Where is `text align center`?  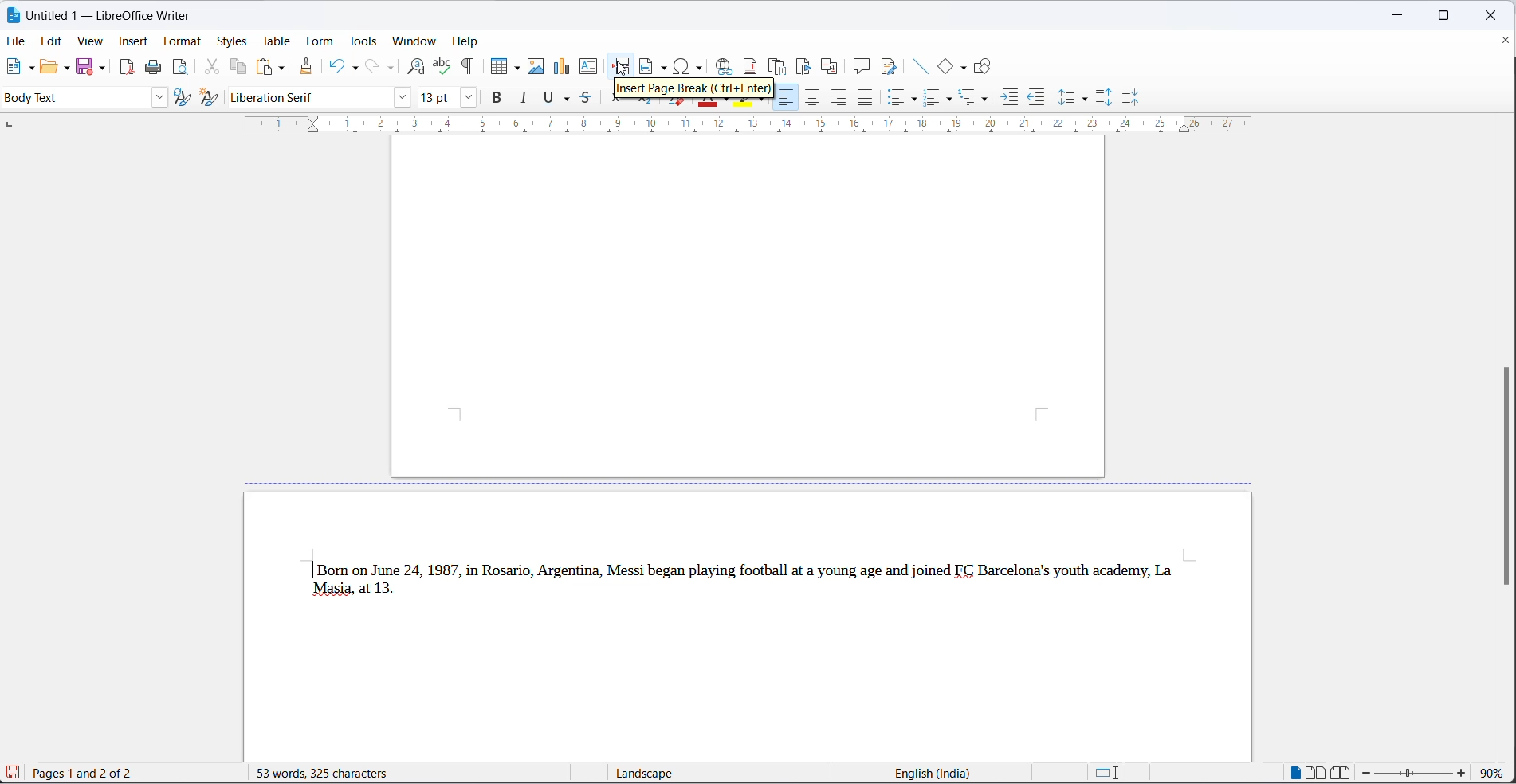
text align center is located at coordinates (812, 98).